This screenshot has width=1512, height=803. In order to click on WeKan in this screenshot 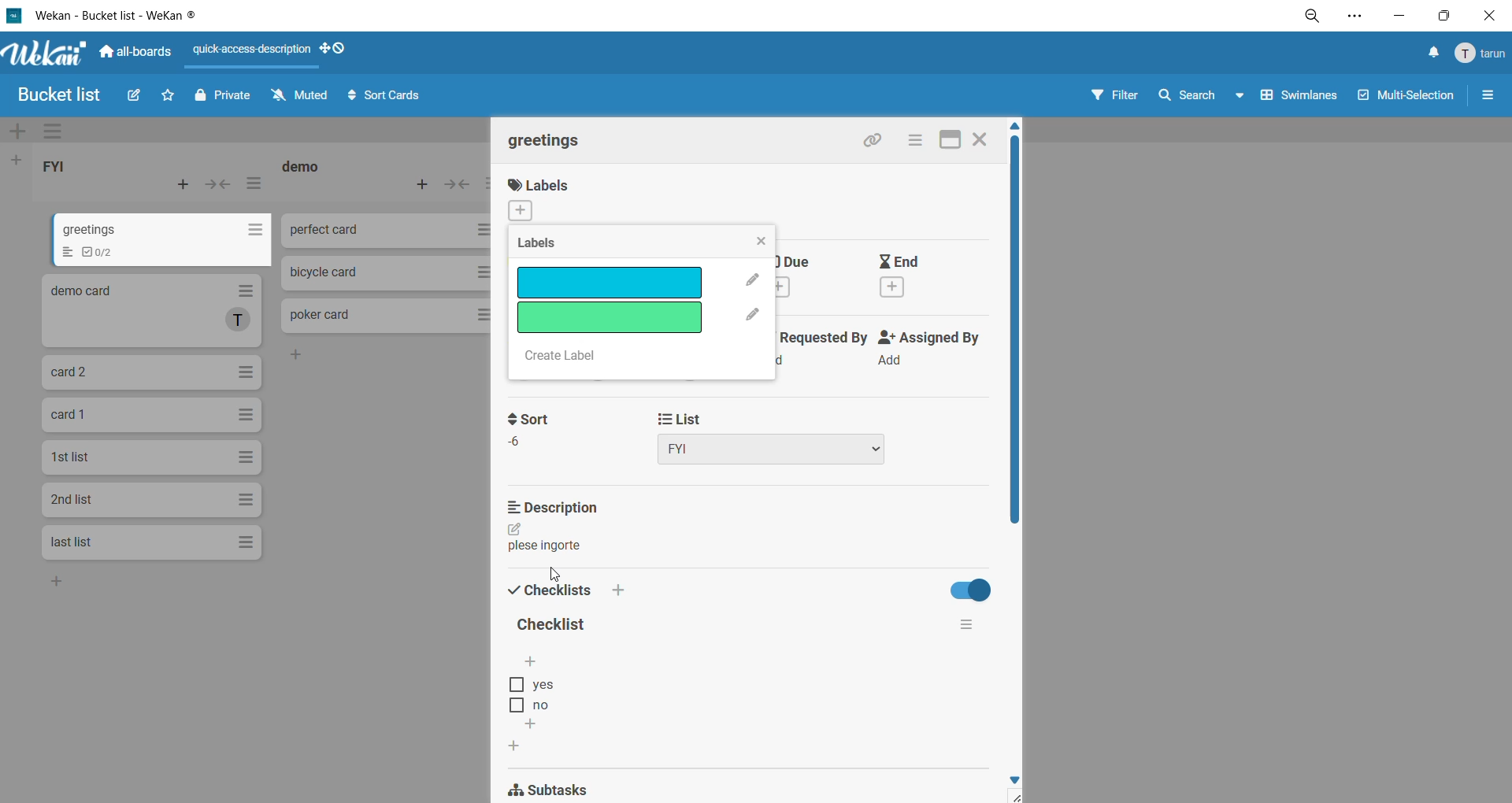, I will do `click(44, 52)`.